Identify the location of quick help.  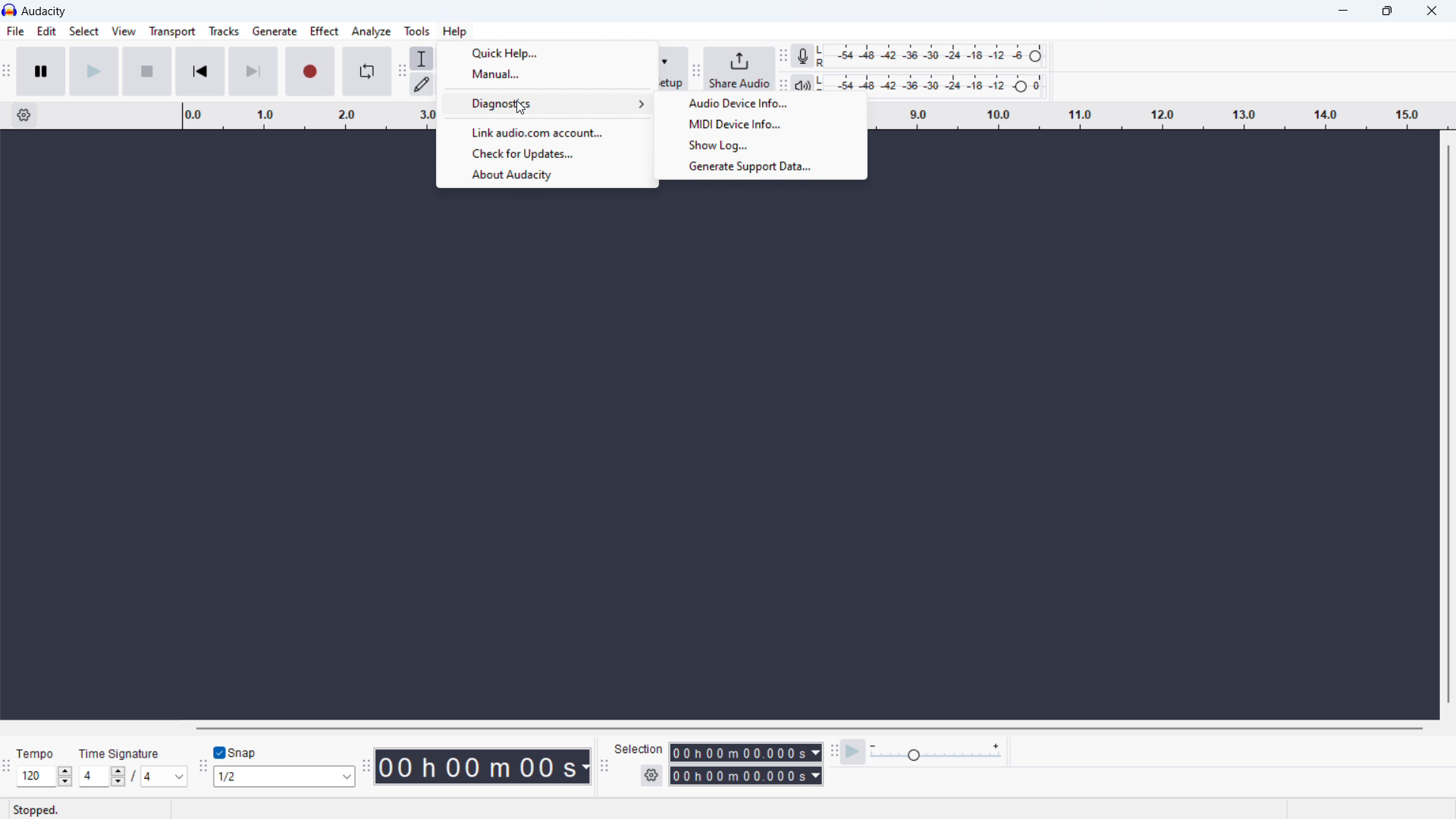
(548, 53).